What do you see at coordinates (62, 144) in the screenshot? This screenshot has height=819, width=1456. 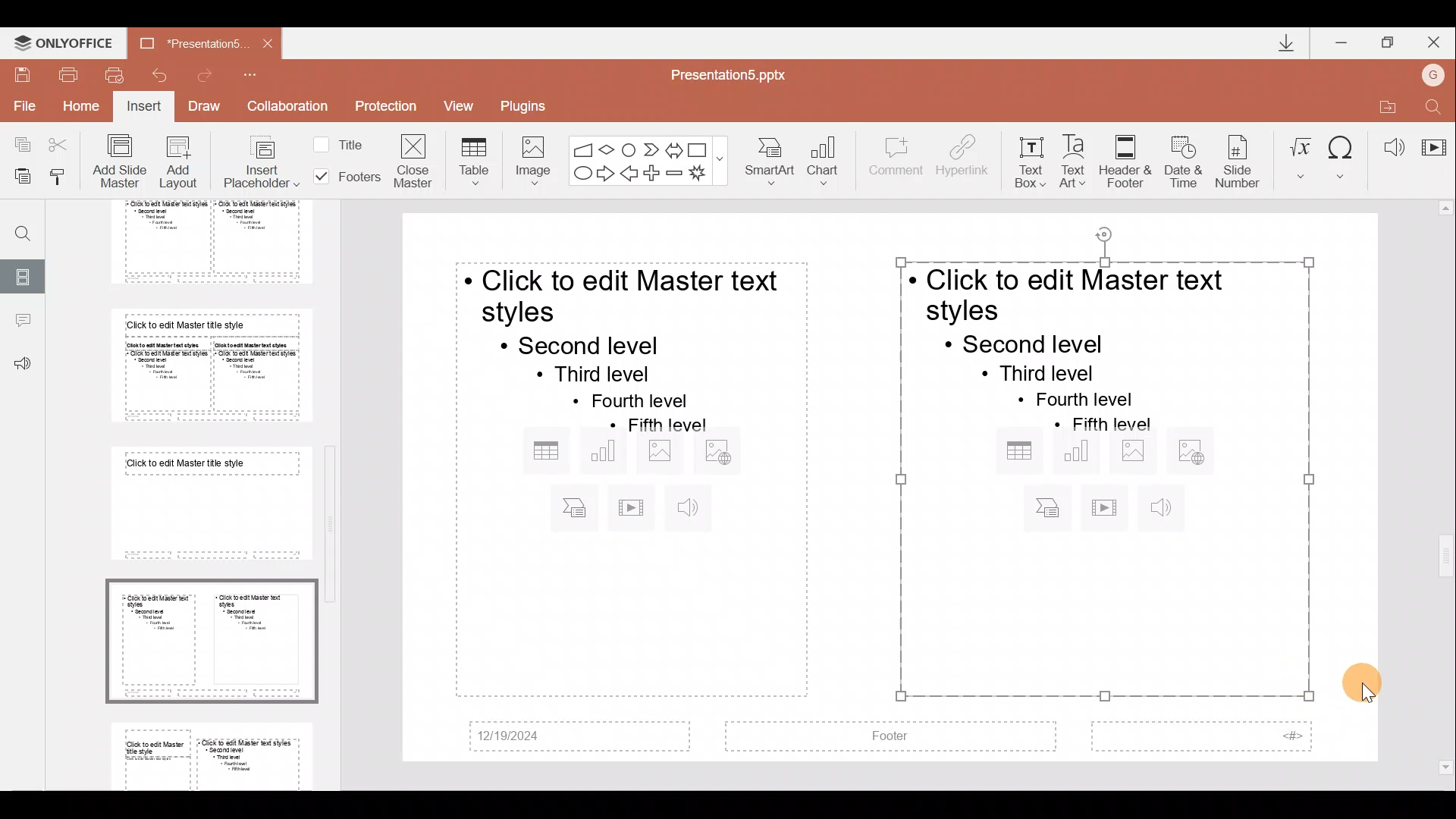 I see `Cut` at bounding box center [62, 144].